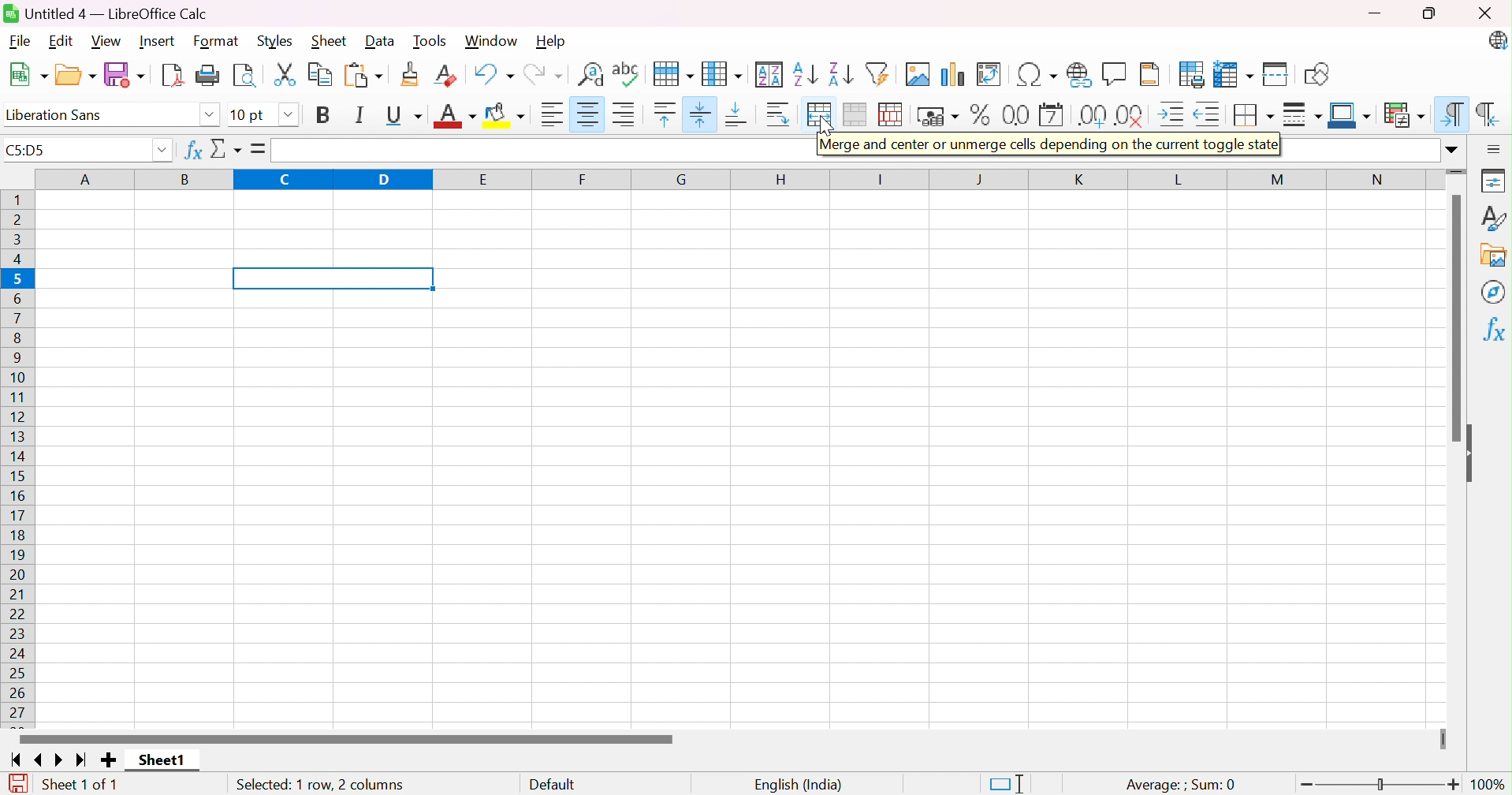 The image size is (1512, 795). What do you see at coordinates (58, 114) in the screenshot?
I see `Liberation Sans` at bounding box center [58, 114].